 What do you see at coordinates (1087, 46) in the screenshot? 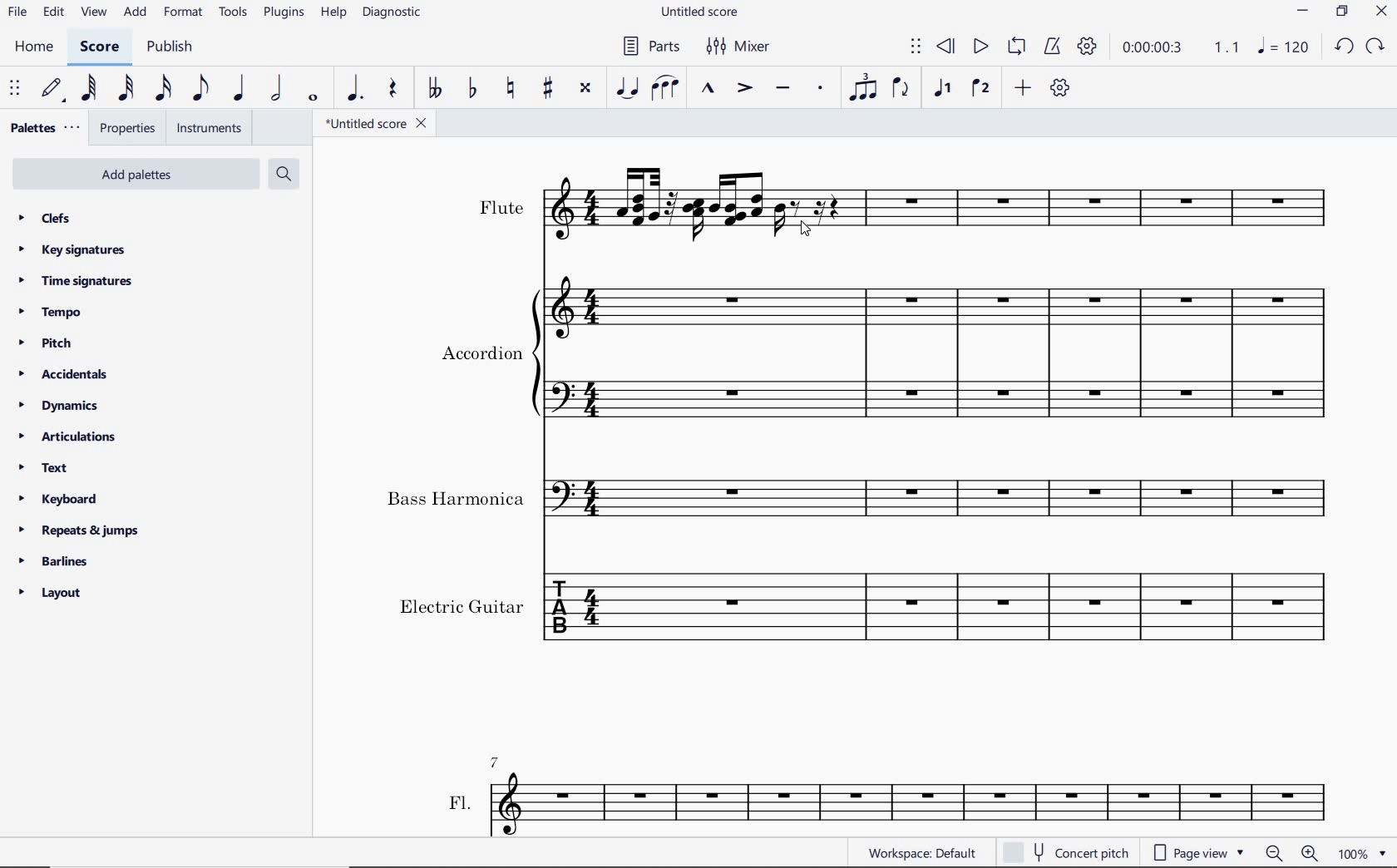
I see `playback settings` at bounding box center [1087, 46].